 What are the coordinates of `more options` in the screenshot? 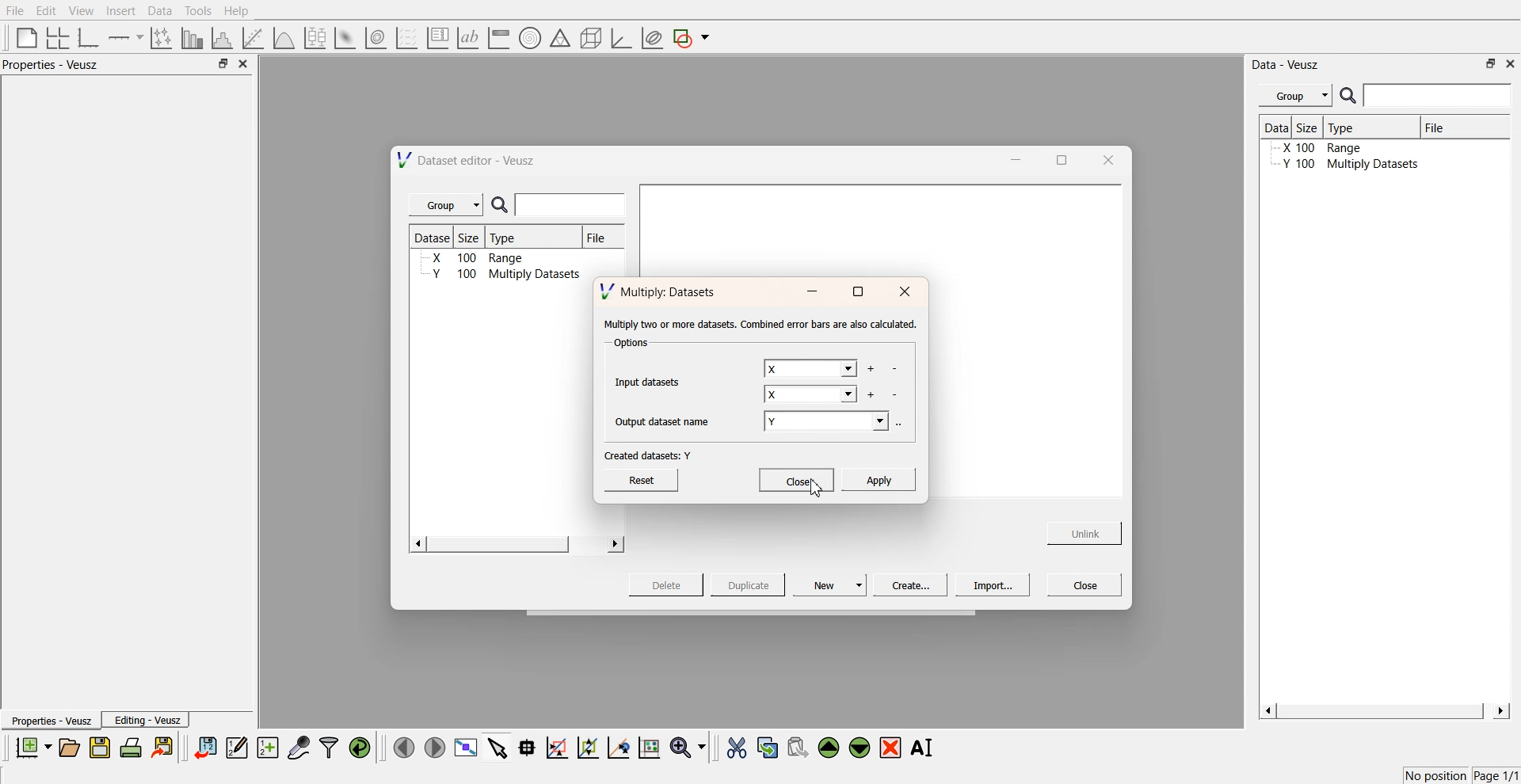 It's located at (903, 423).